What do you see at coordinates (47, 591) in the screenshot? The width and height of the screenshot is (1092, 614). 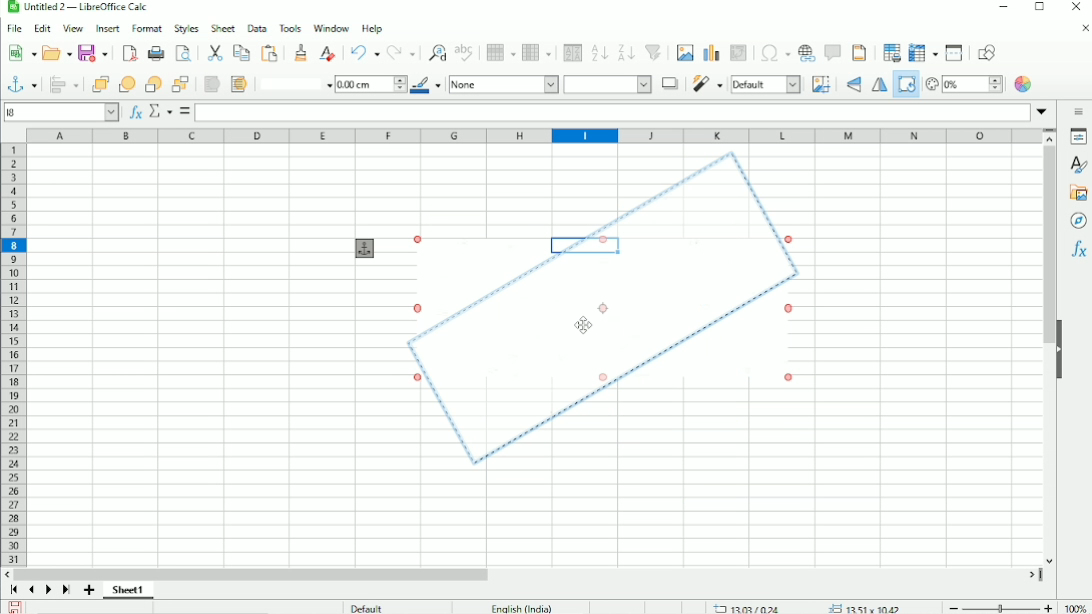 I see `Scroll to next sheet` at bounding box center [47, 591].